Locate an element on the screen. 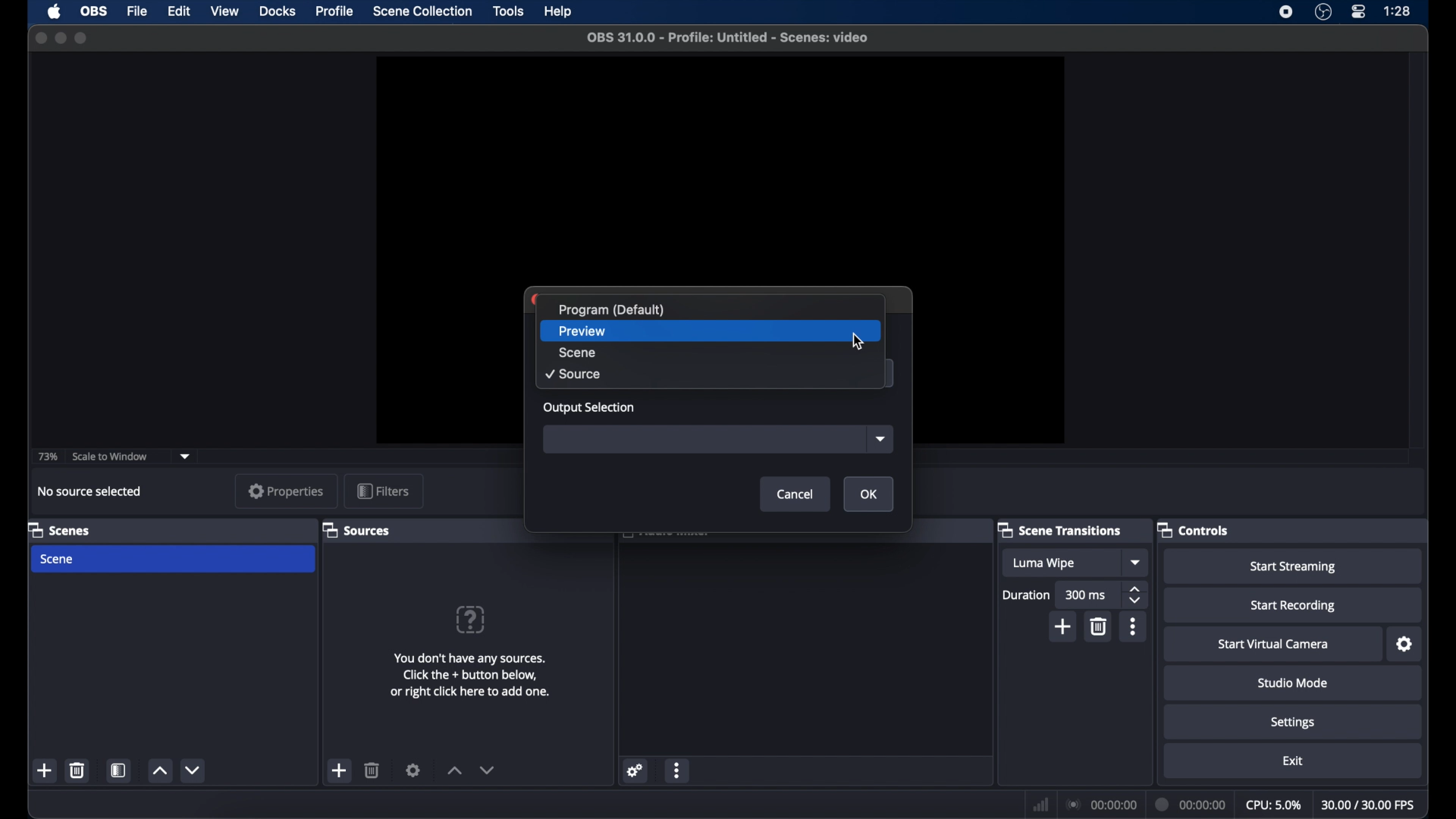  settings is located at coordinates (1403, 644).